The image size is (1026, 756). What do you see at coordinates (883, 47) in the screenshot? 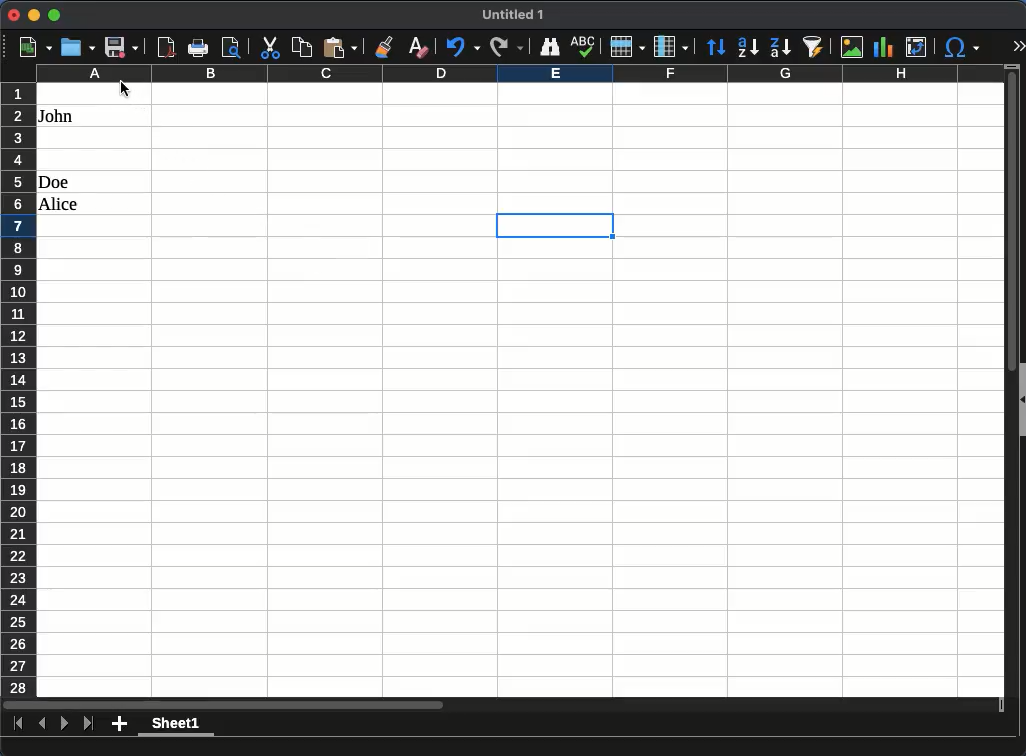
I see `chart` at bounding box center [883, 47].